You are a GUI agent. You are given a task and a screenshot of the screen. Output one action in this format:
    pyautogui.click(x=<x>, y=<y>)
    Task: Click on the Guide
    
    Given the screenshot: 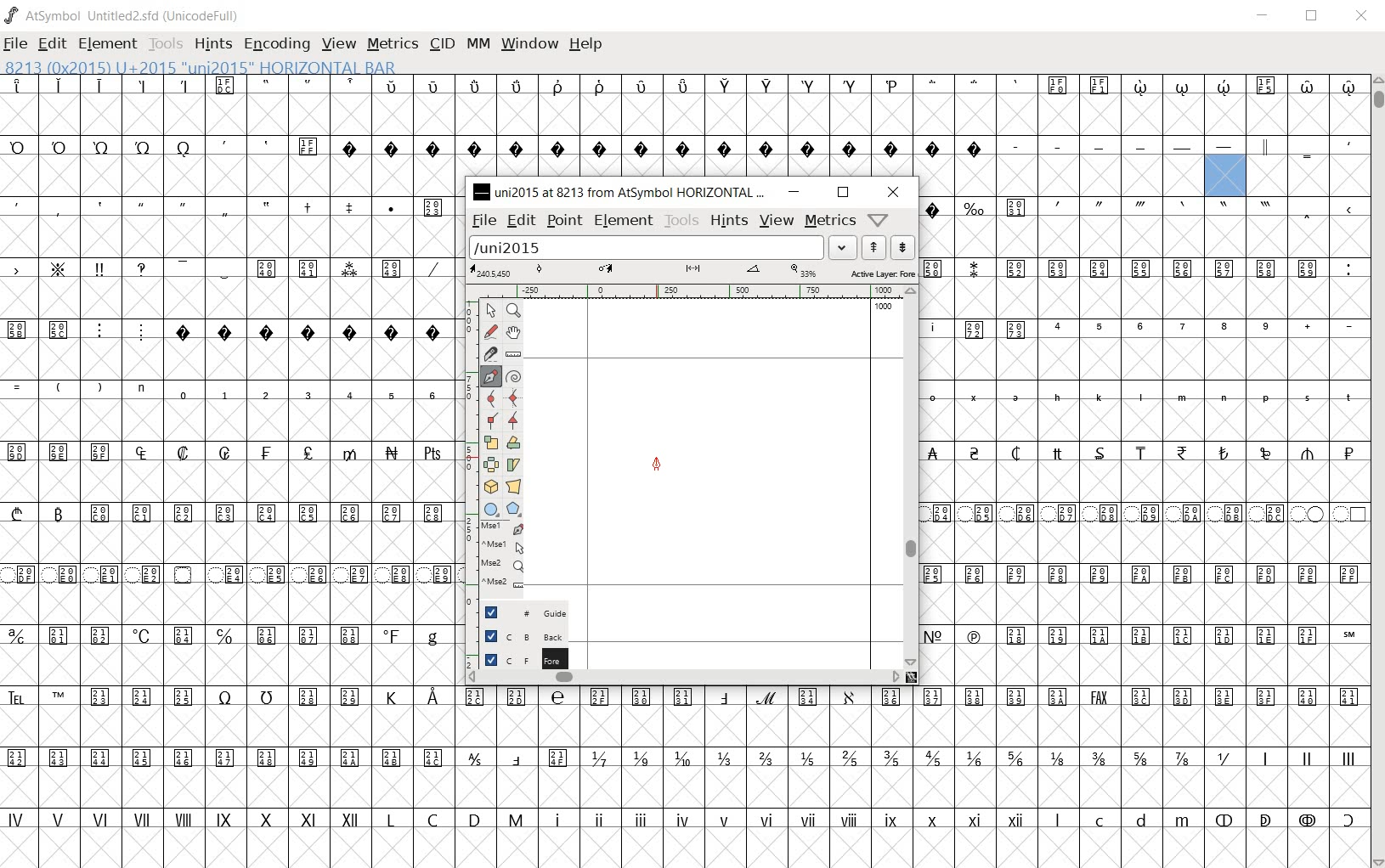 What is the action you would take?
    pyautogui.click(x=515, y=612)
    